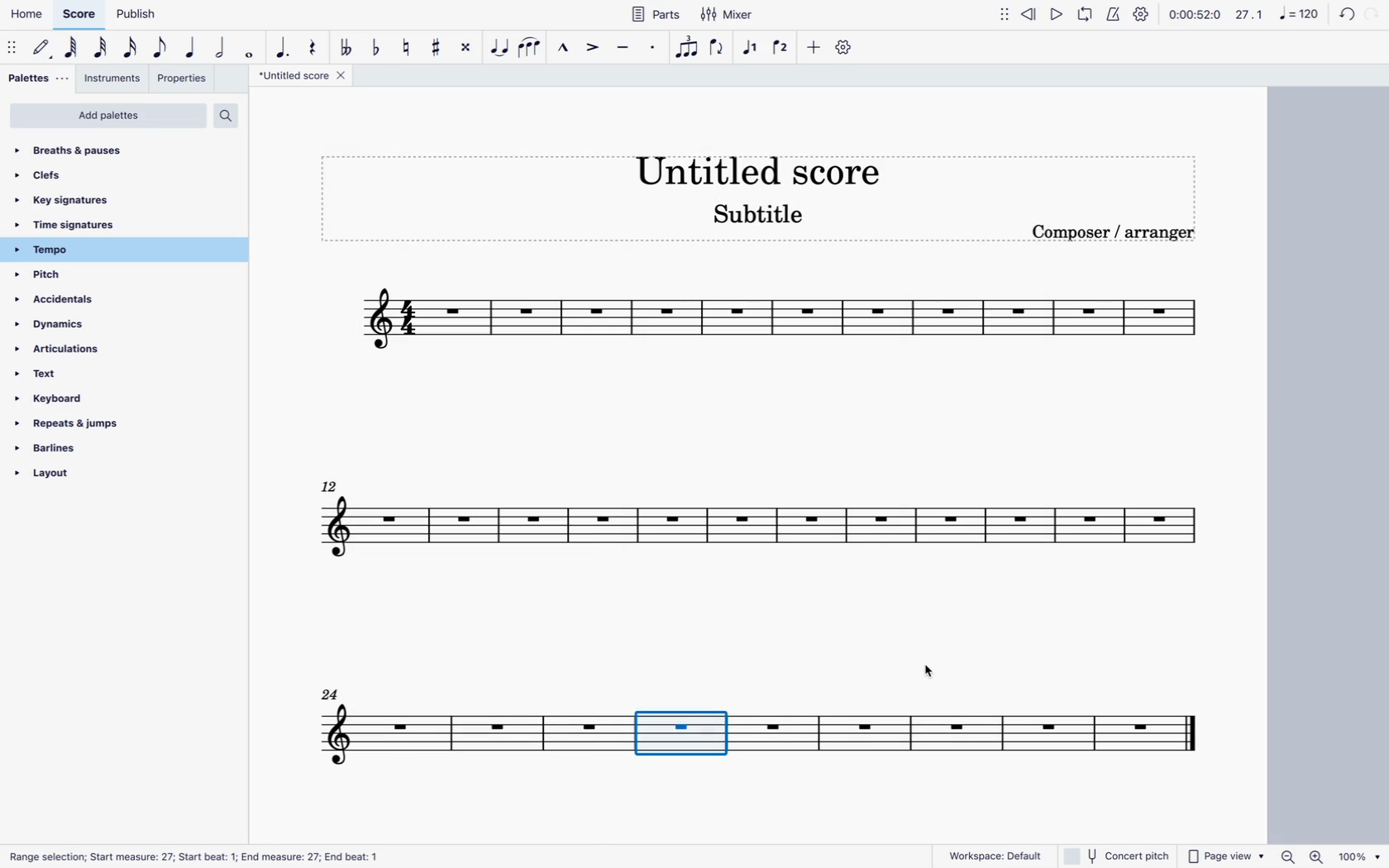 This screenshot has height=868, width=1389. I want to click on slur, so click(532, 48).